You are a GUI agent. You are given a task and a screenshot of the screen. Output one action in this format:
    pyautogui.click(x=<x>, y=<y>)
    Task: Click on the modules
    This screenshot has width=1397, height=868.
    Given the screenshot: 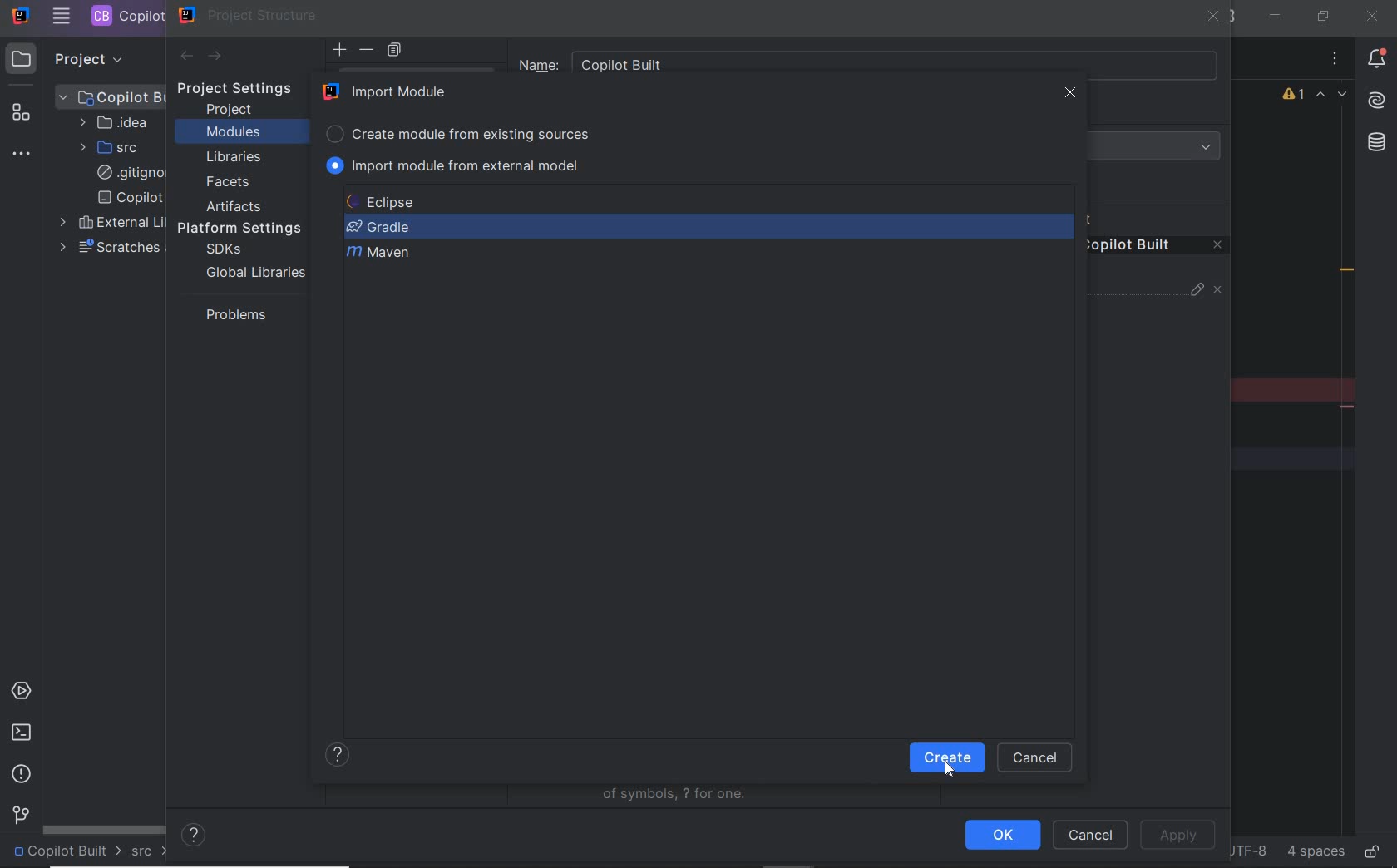 What is the action you would take?
    pyautogui.click(x=233, y=133)
    